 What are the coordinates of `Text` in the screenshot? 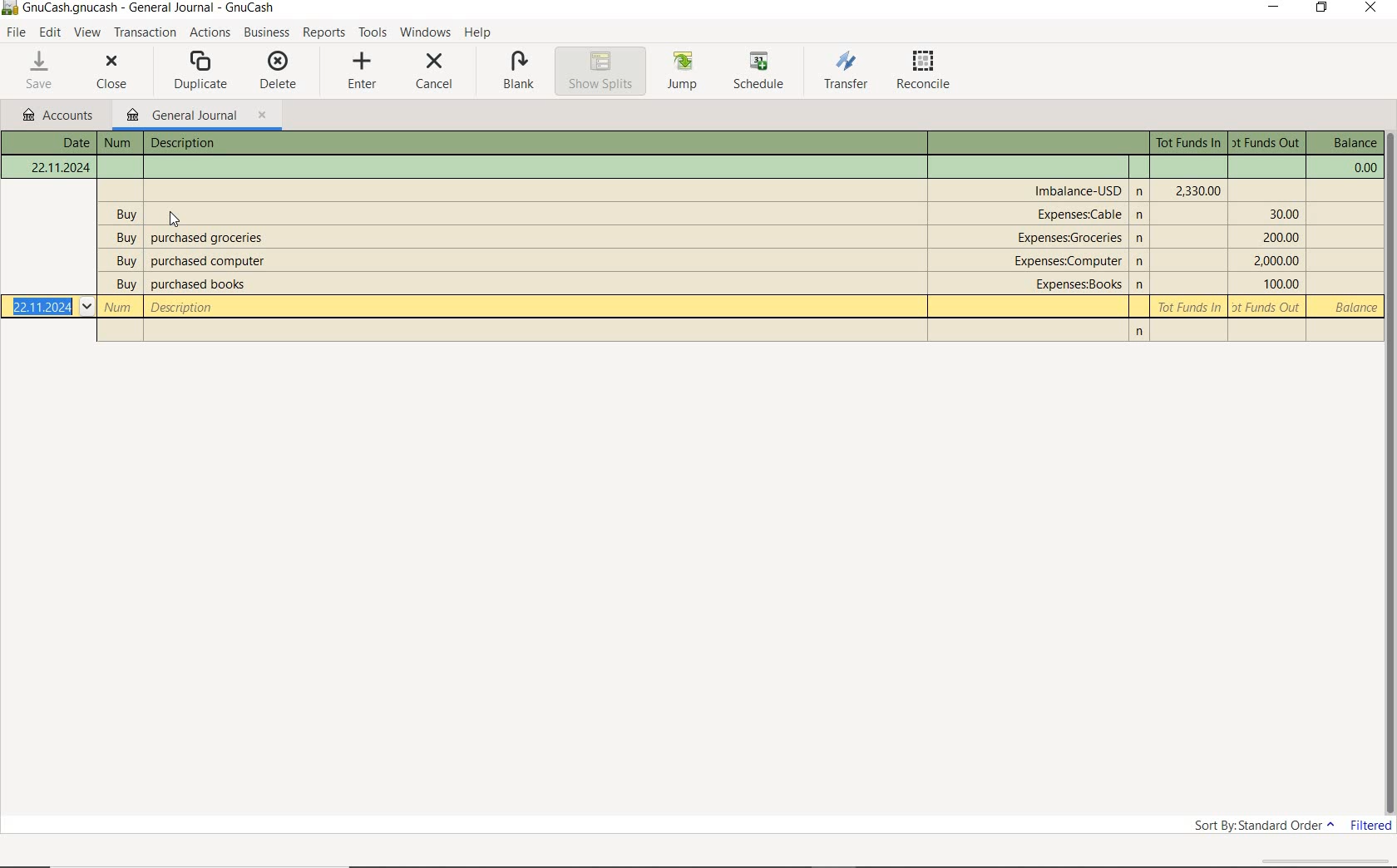 It's located at (52, 142).